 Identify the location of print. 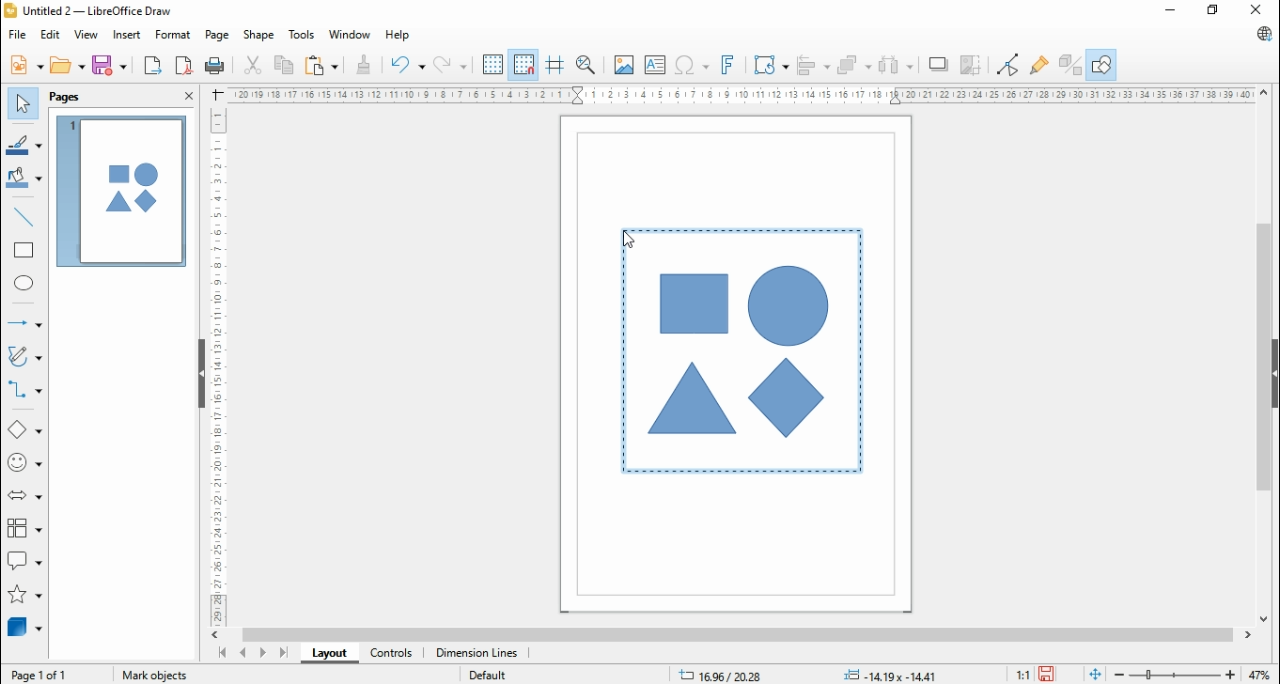
(215, 66).